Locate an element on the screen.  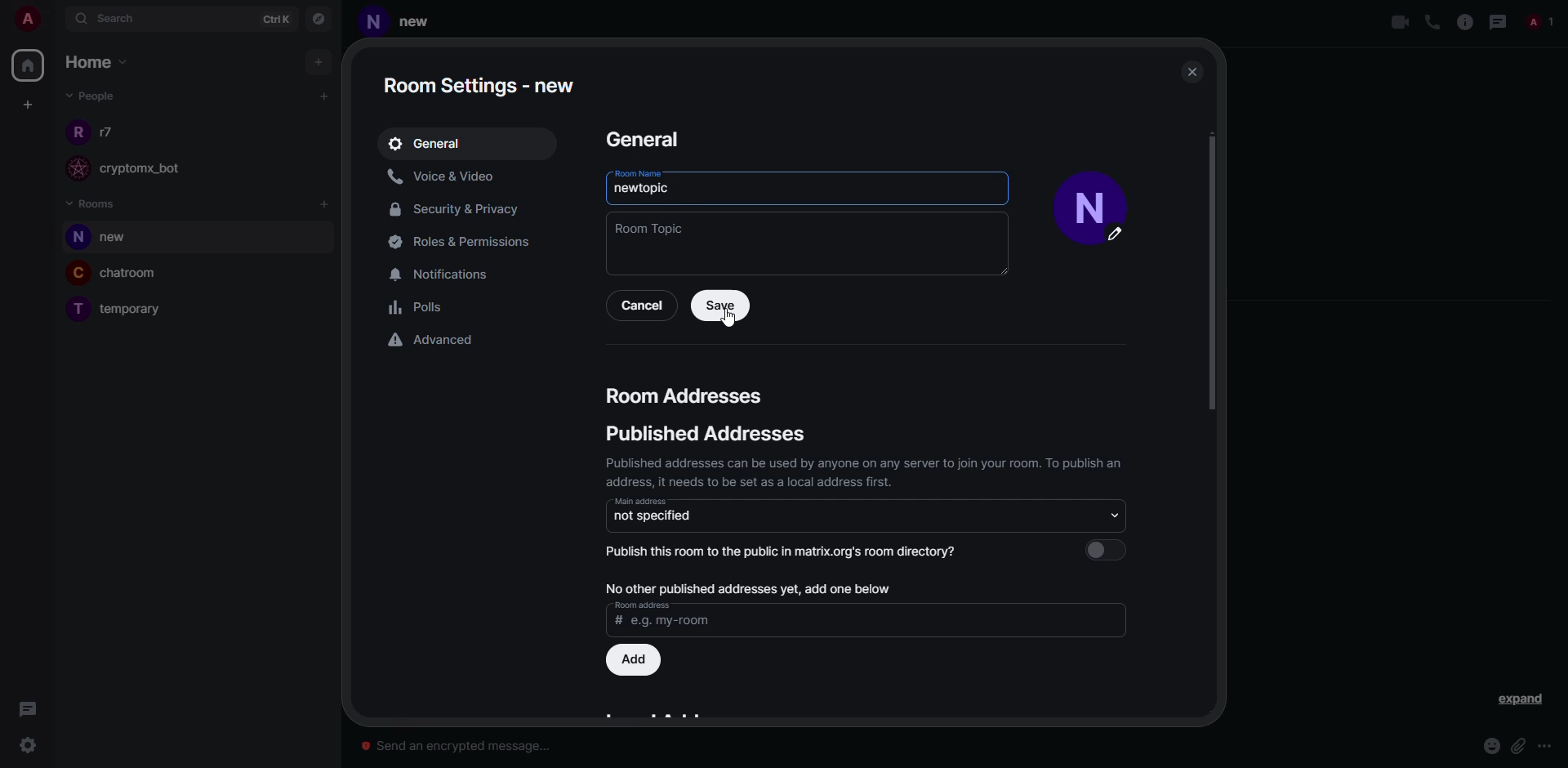
room addresses is located at coordinates (686, 395).